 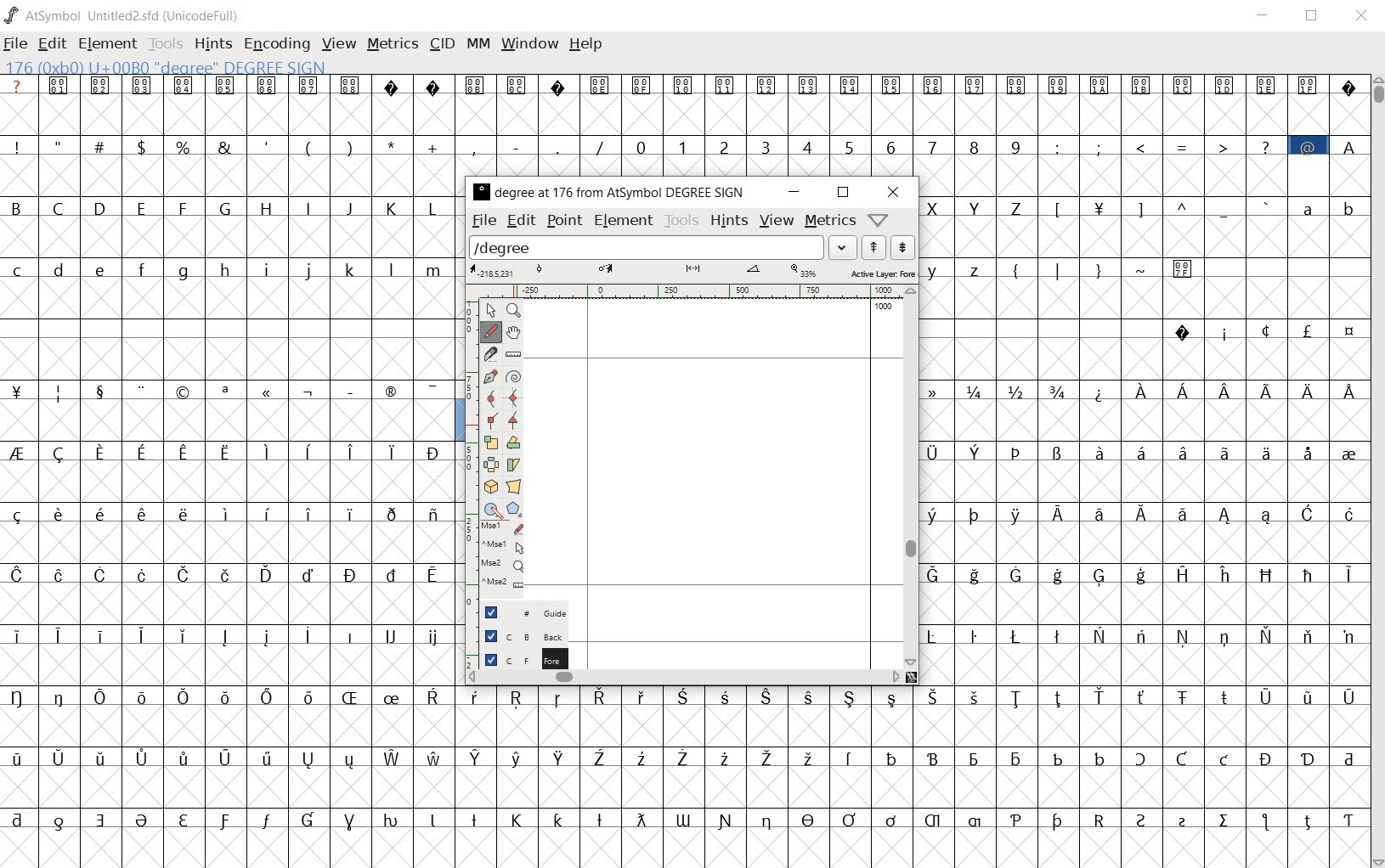 I want to click on empty glyph slots, so click(x=229, y=178).